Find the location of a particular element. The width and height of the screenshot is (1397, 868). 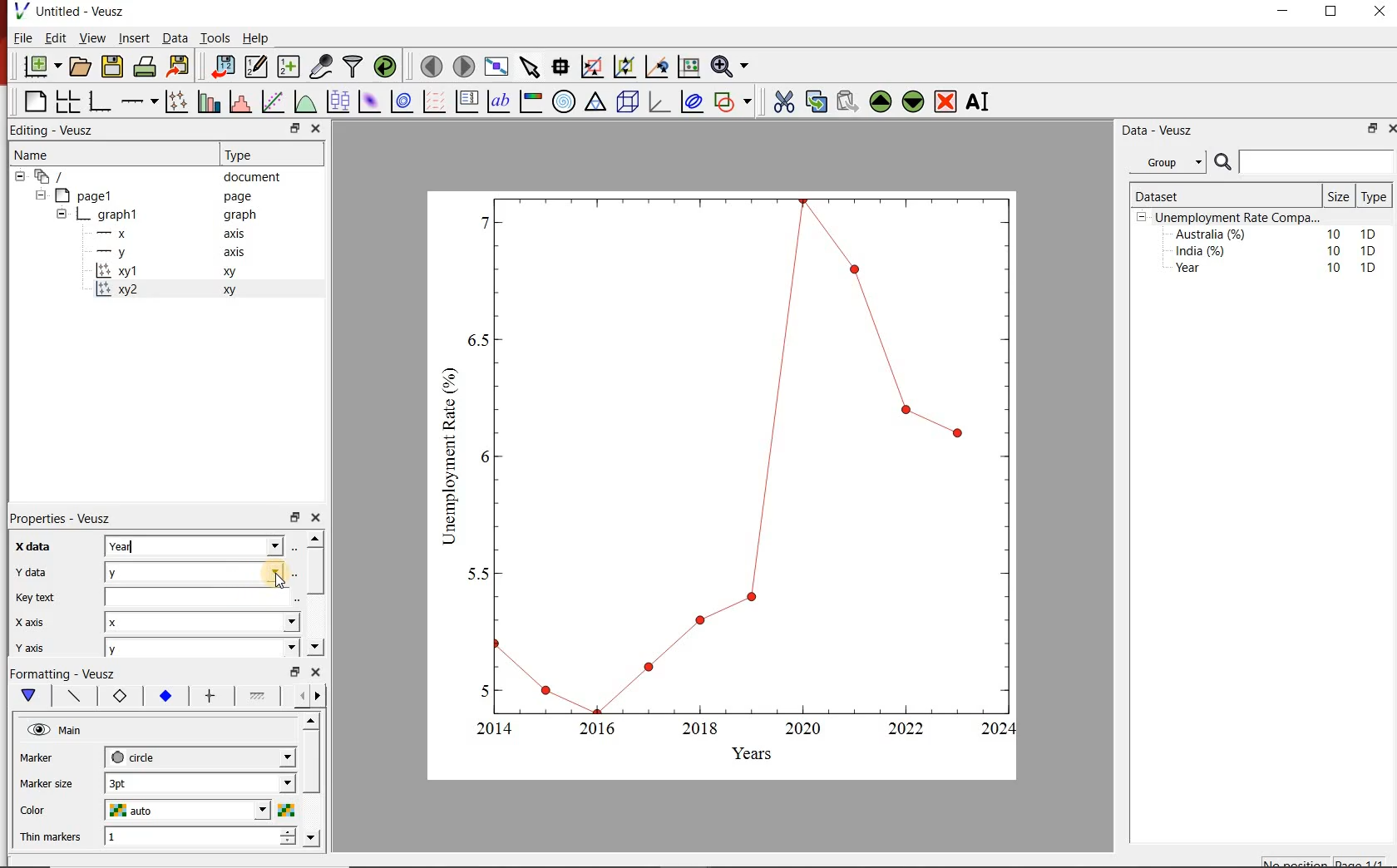

maximise is located at coordinates (1333, 15).